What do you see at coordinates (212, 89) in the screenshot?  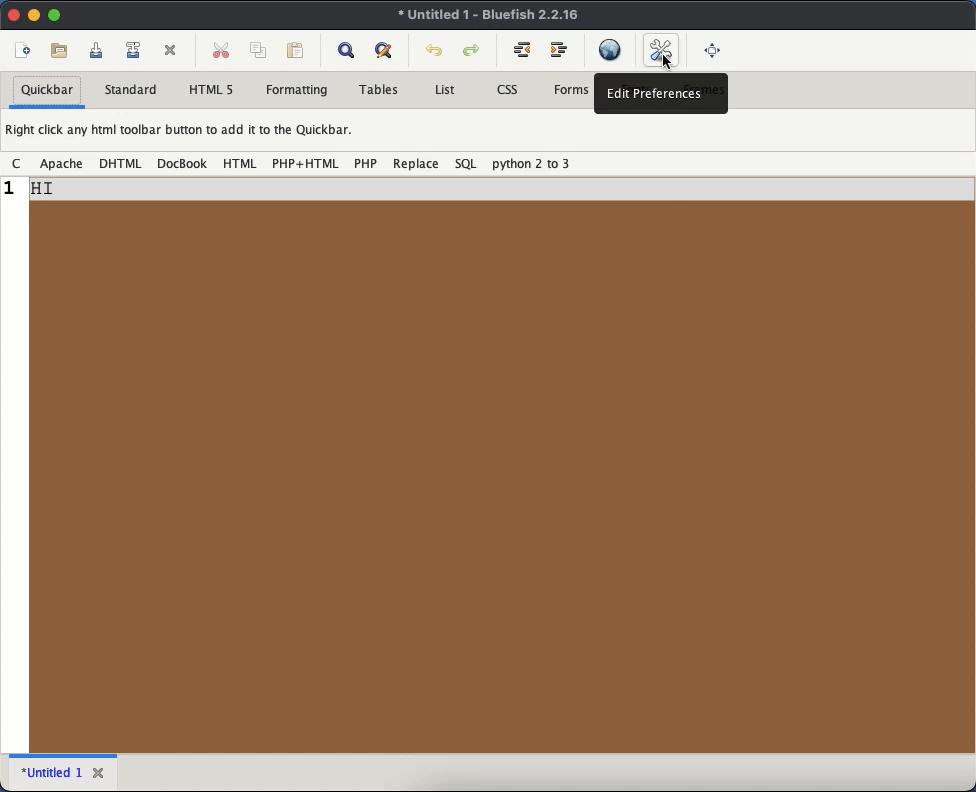 I see `html 5` at bounding box center [212, 89].